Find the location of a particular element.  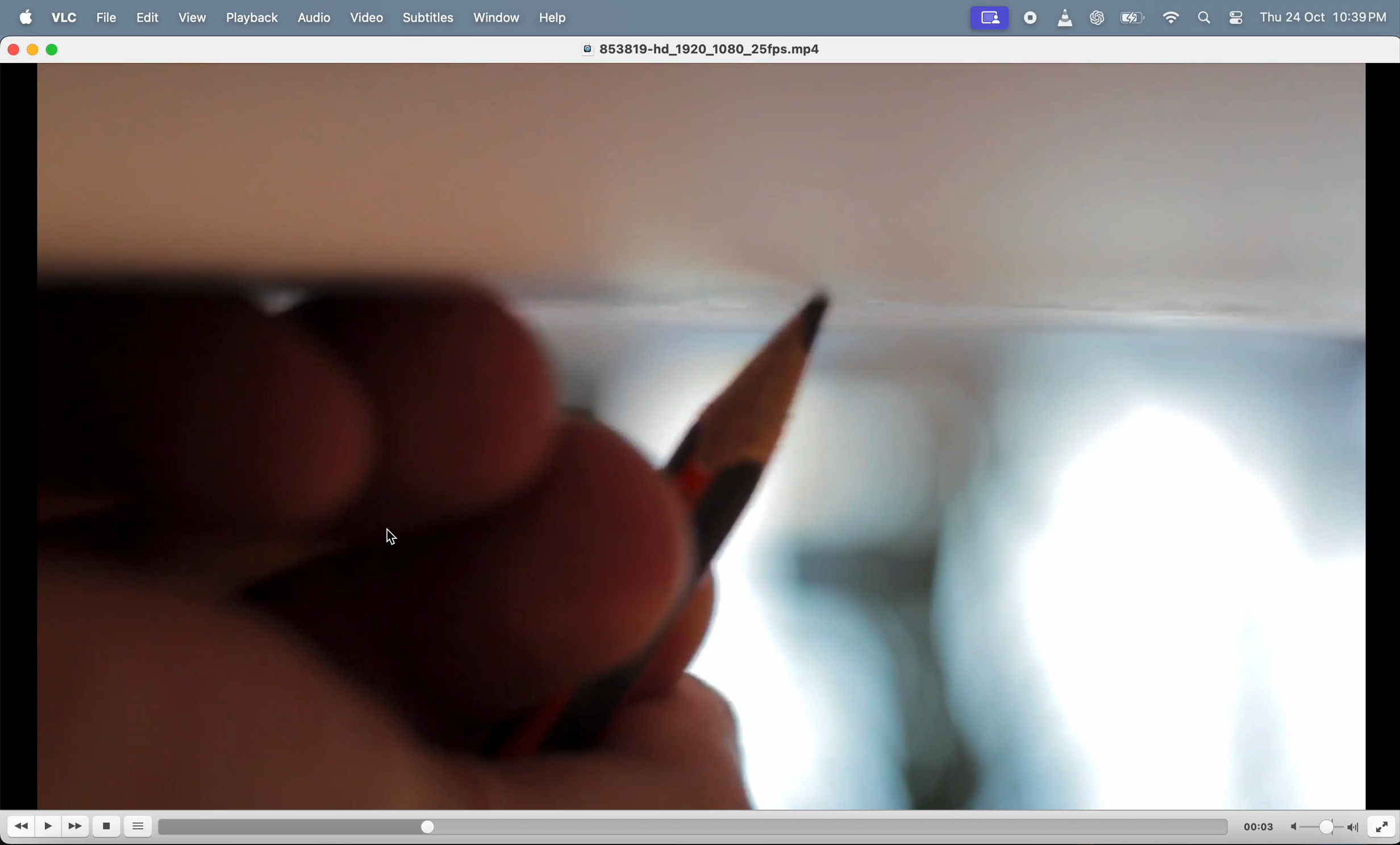

apple widgets is located at coordinates (1222, 18).